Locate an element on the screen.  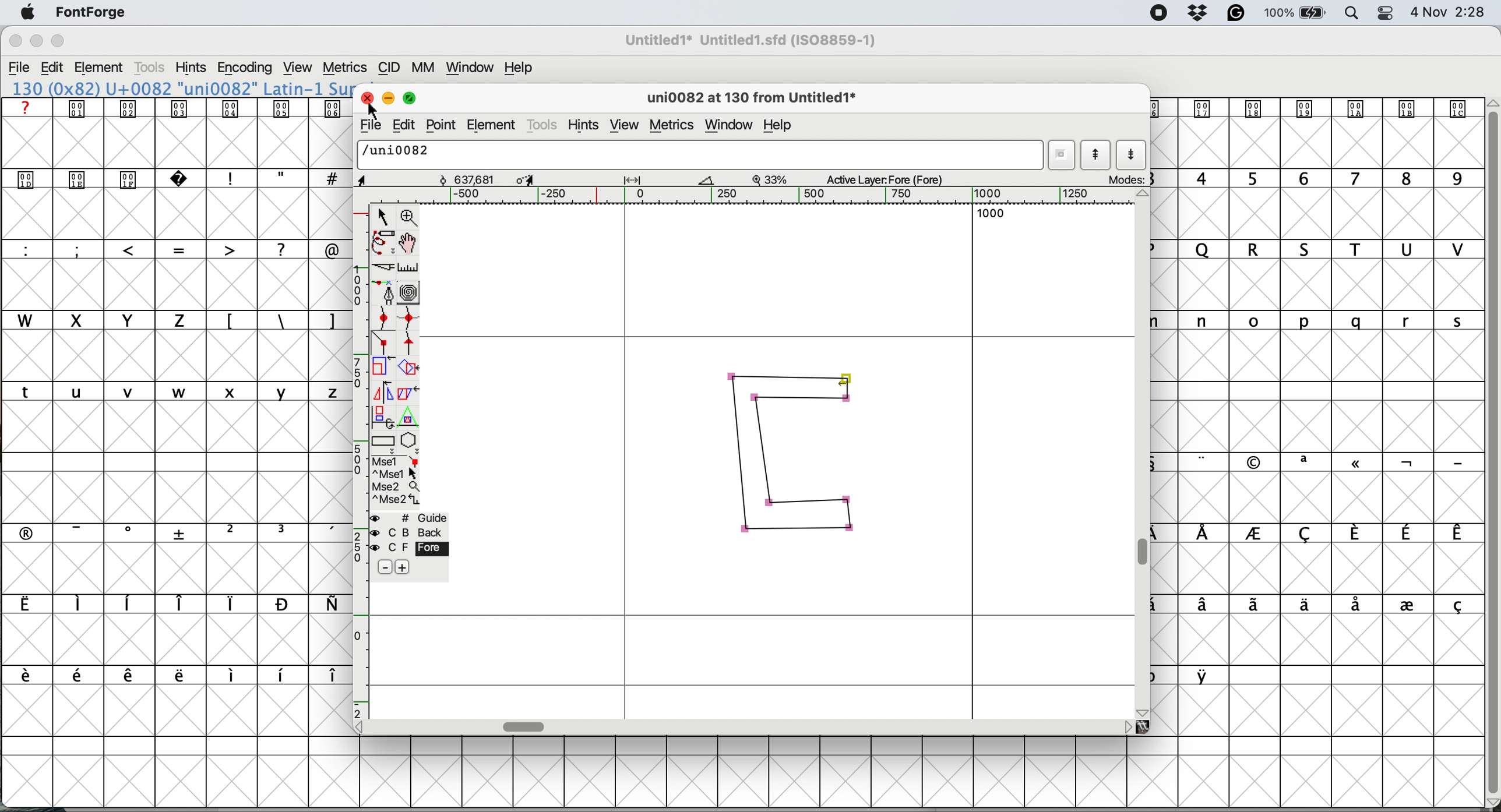
perform a perspective transformation on screen is located at coordinates (410, 417).